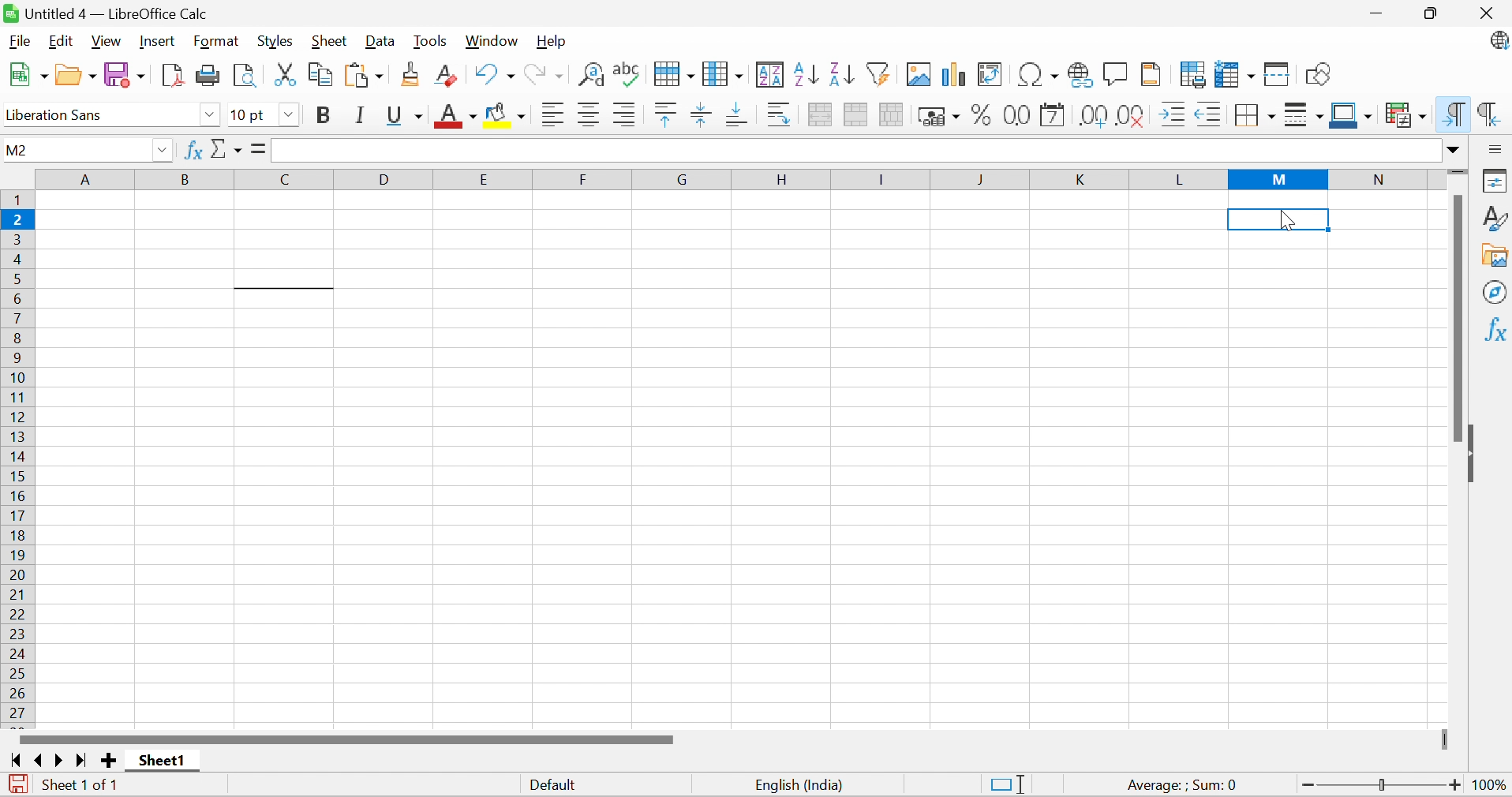 Image resolution: width=1512 pixels, height=797 pixels. What do you see at coordinates (286, 279) in the screenshot?
I see `Border at the bottom of the cell` at bounding box center [286, 279].